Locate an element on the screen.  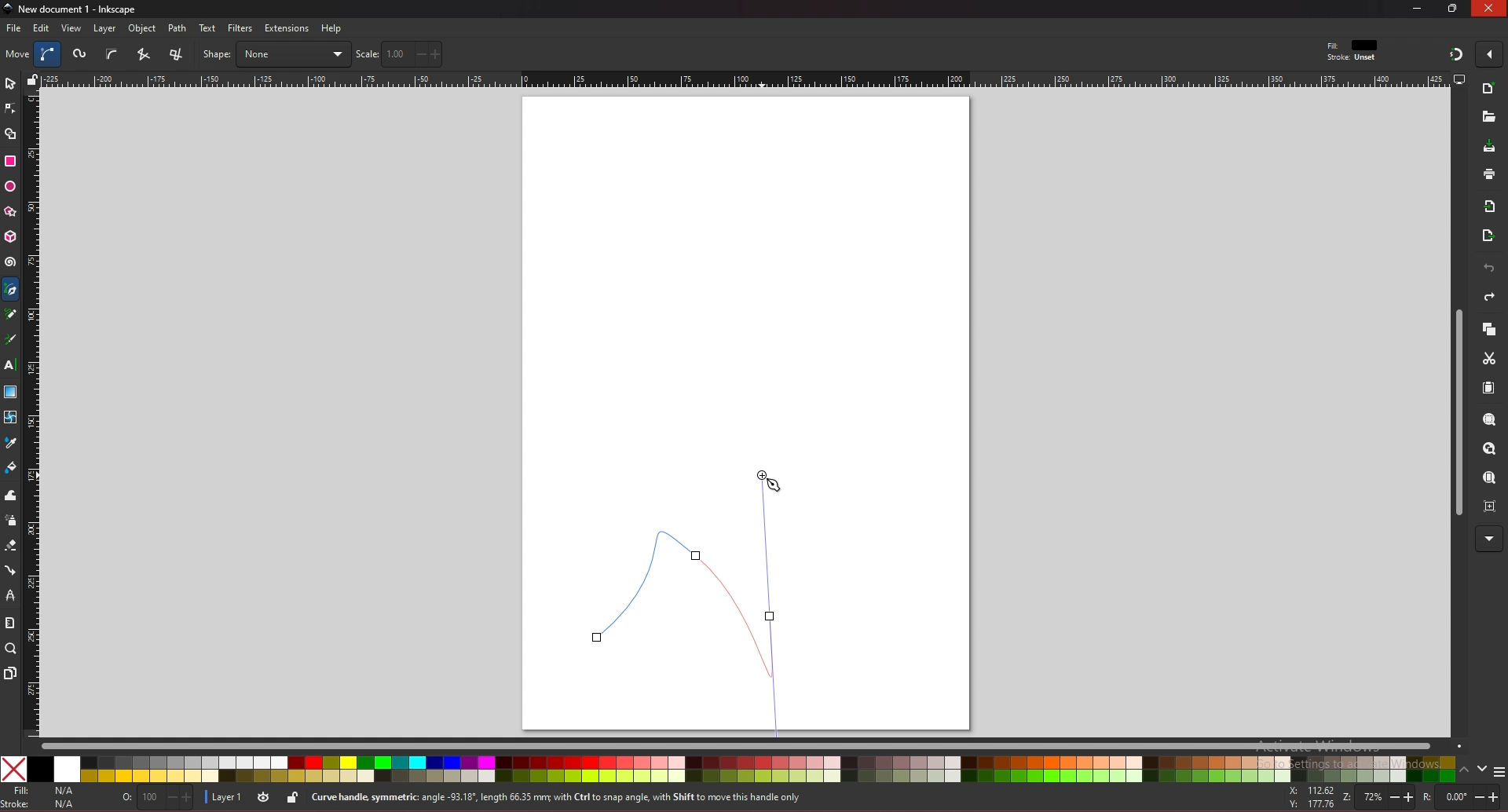
mesh is located at coordinates (9, 417).